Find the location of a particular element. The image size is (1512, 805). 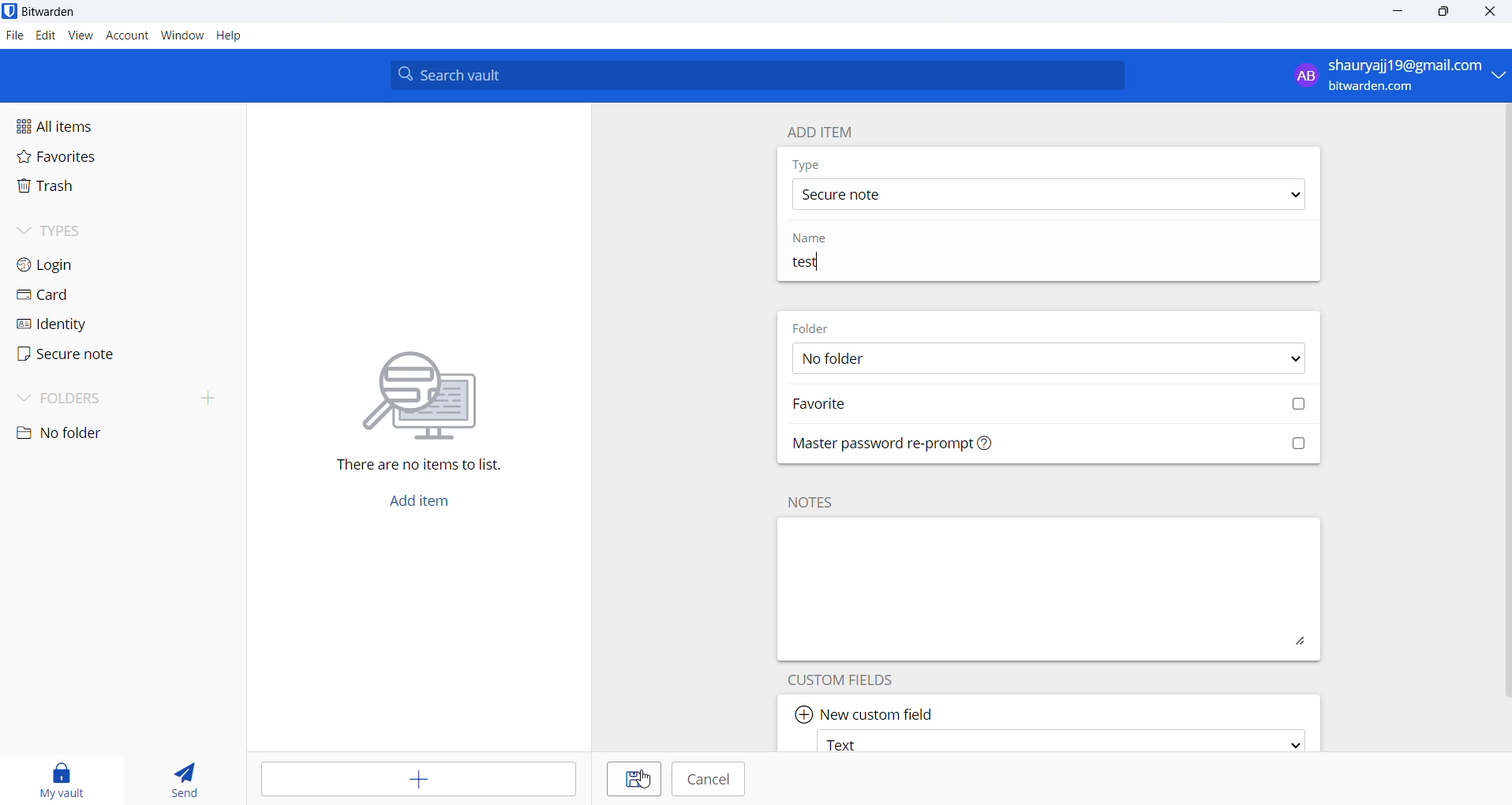

new field options is located at coordinates (1058, 740).